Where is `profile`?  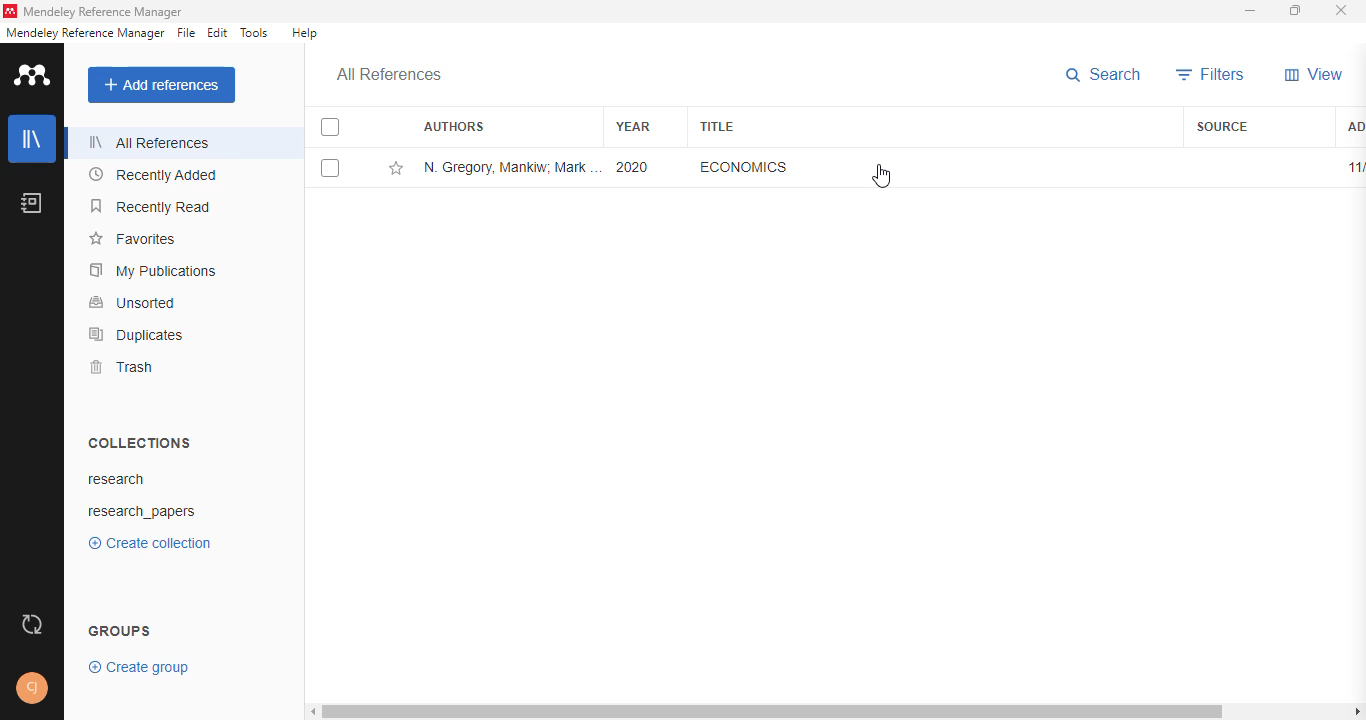 profile is located at coordinates (32, 689).